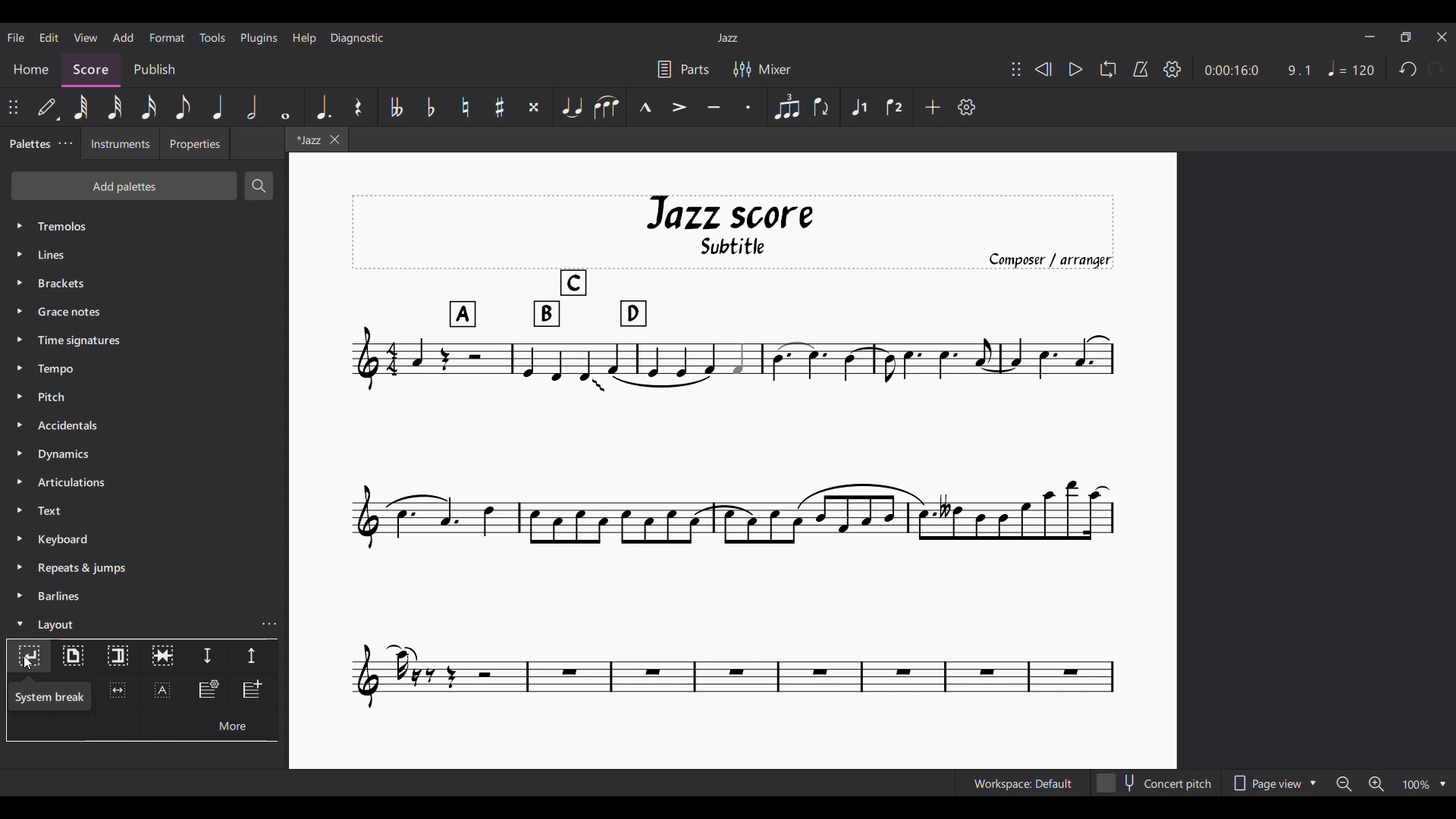  I want to click on File menu , so click(16, 38).